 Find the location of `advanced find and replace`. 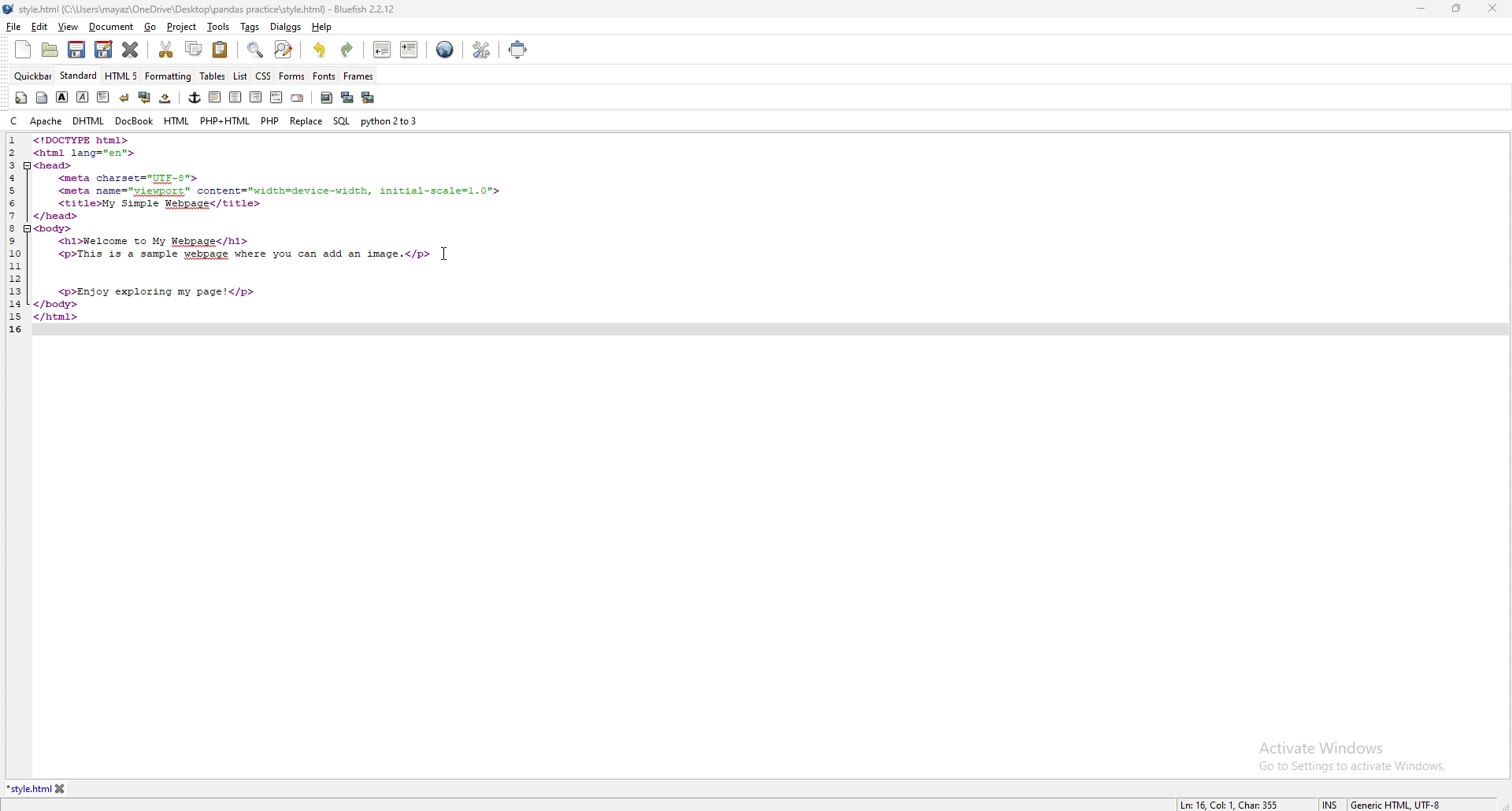

advanced find and replace is located at coordinates (284, 50).